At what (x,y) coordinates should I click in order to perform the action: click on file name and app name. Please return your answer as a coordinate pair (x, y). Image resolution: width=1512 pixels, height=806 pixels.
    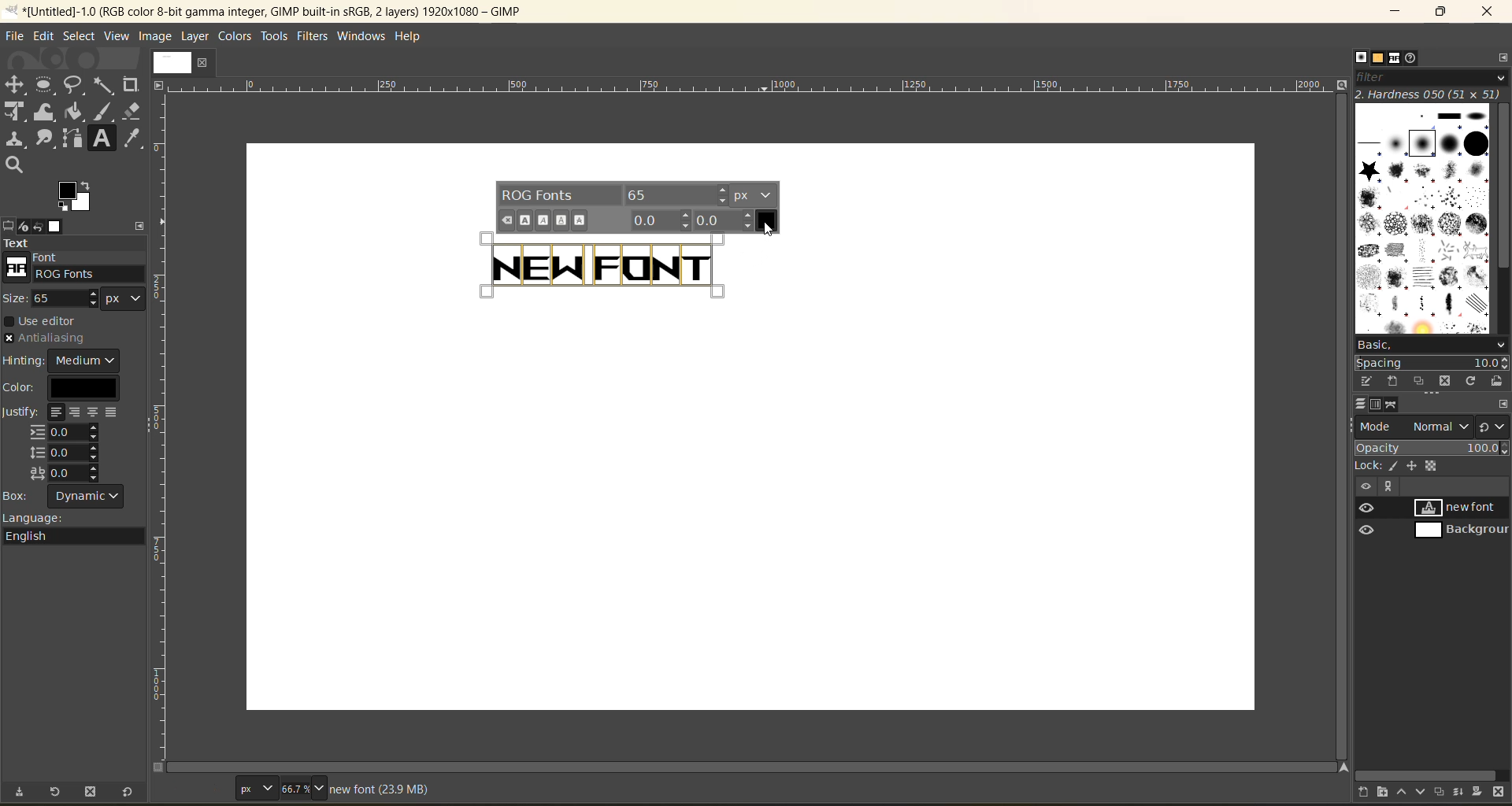
    Looking at the image, I should click on (280, 10).